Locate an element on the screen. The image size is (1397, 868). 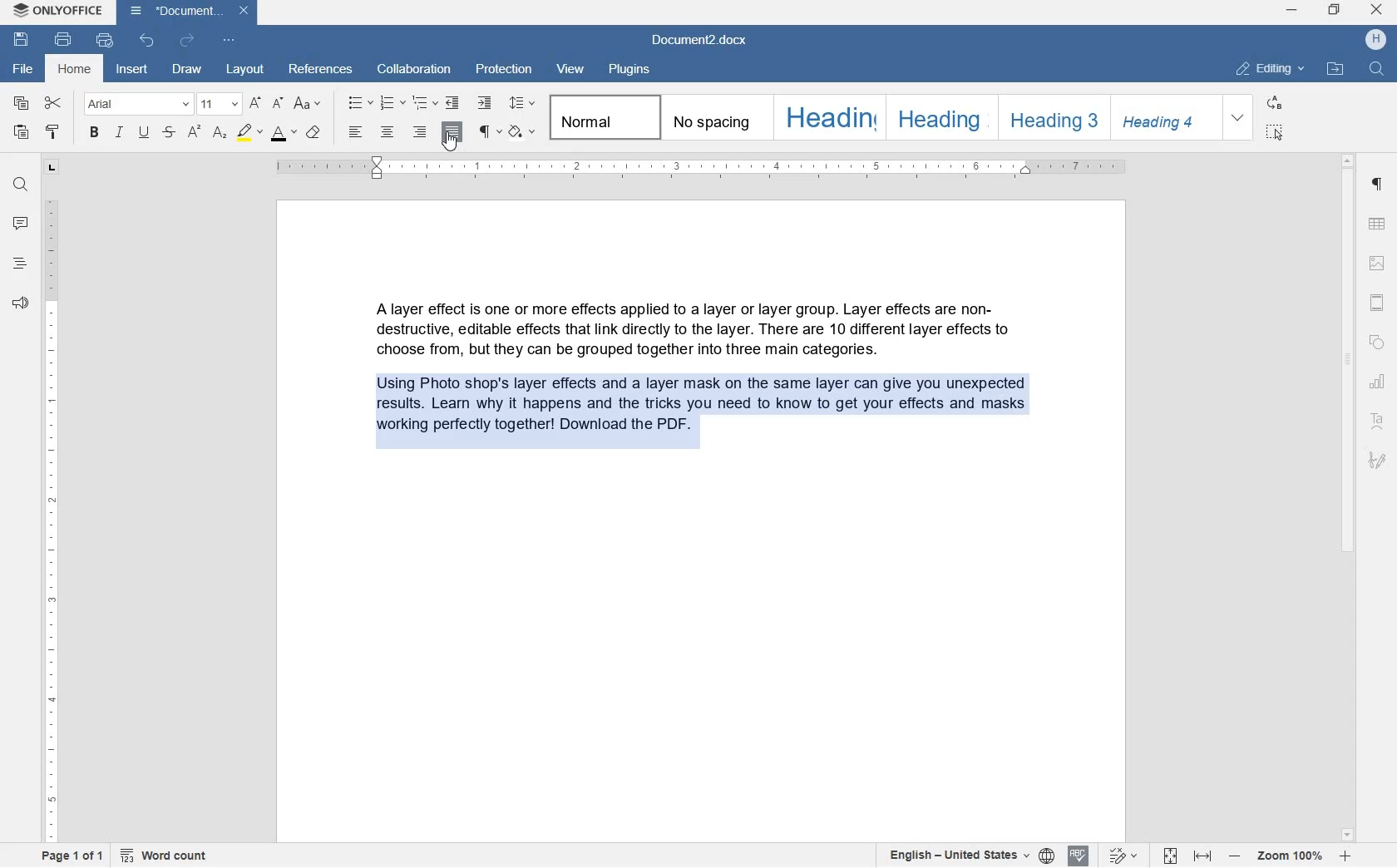
NORMAL is located at coordinates (602, 120).